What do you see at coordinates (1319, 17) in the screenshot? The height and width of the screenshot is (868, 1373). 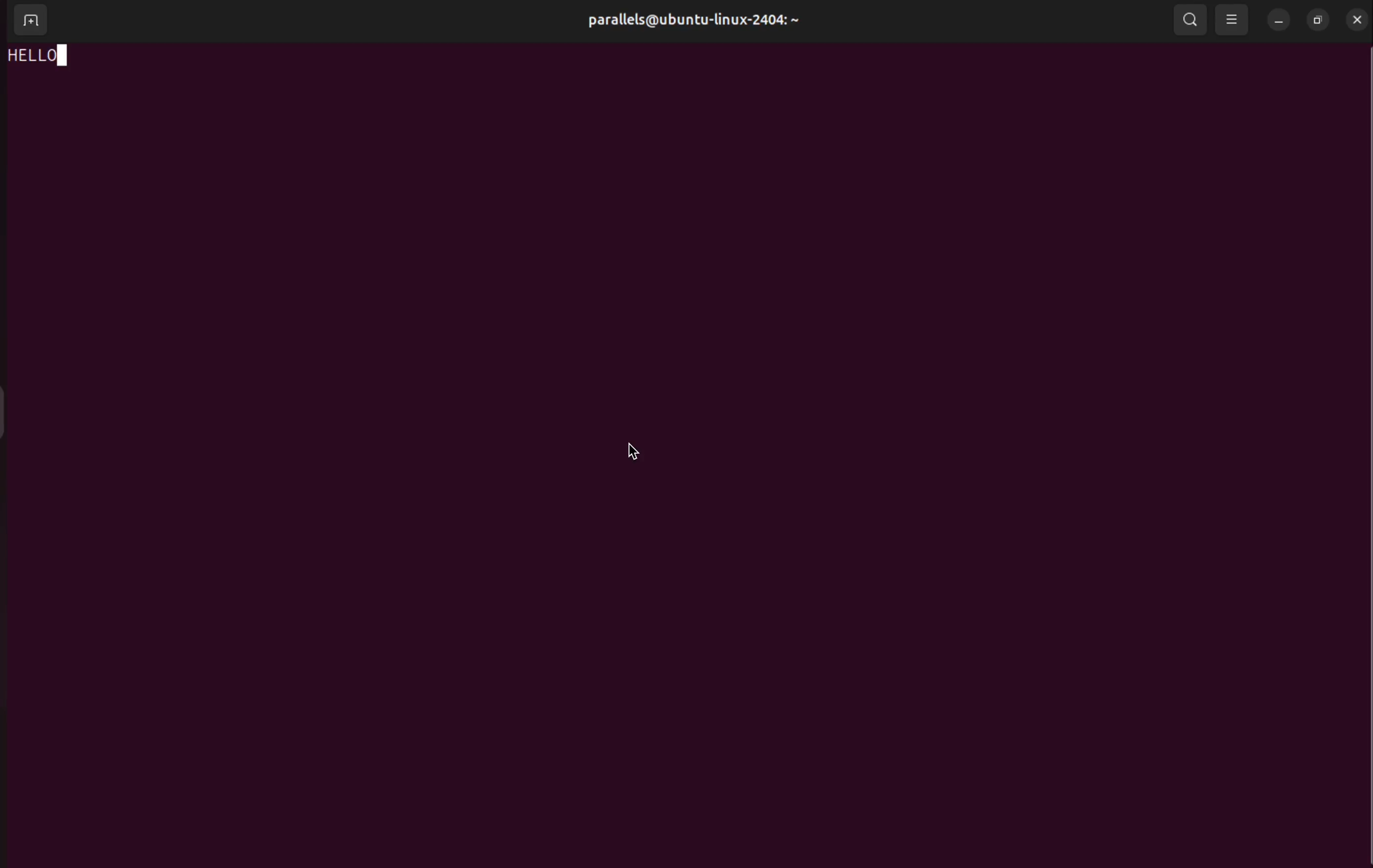 I see `resize` at bounding box center [1319, 17].